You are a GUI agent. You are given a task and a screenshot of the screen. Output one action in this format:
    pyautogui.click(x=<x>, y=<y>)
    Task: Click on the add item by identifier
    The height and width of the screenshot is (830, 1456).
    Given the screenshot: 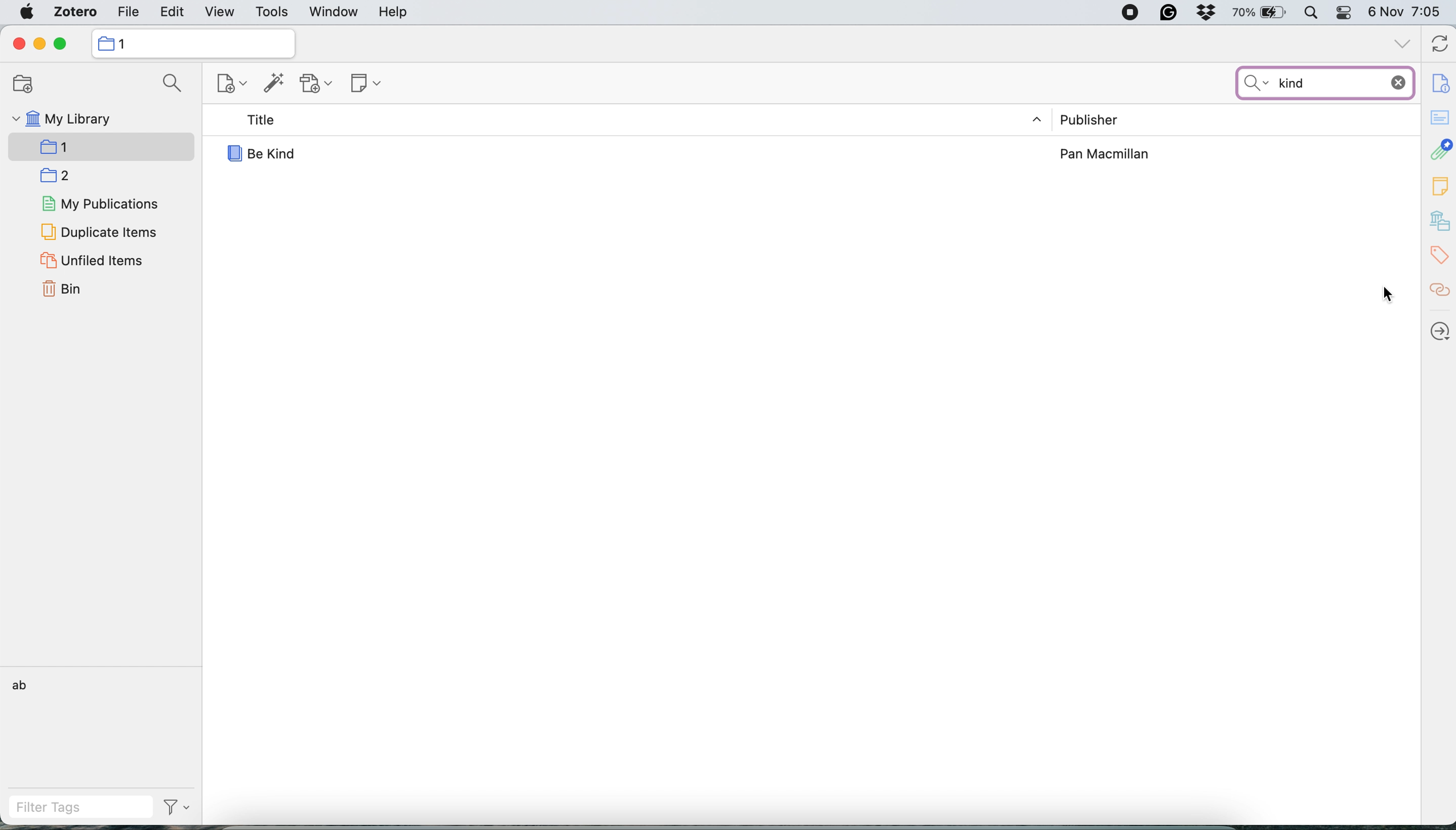 What is the action you would take?
    pyautogui.click(x=274, y=83)
    